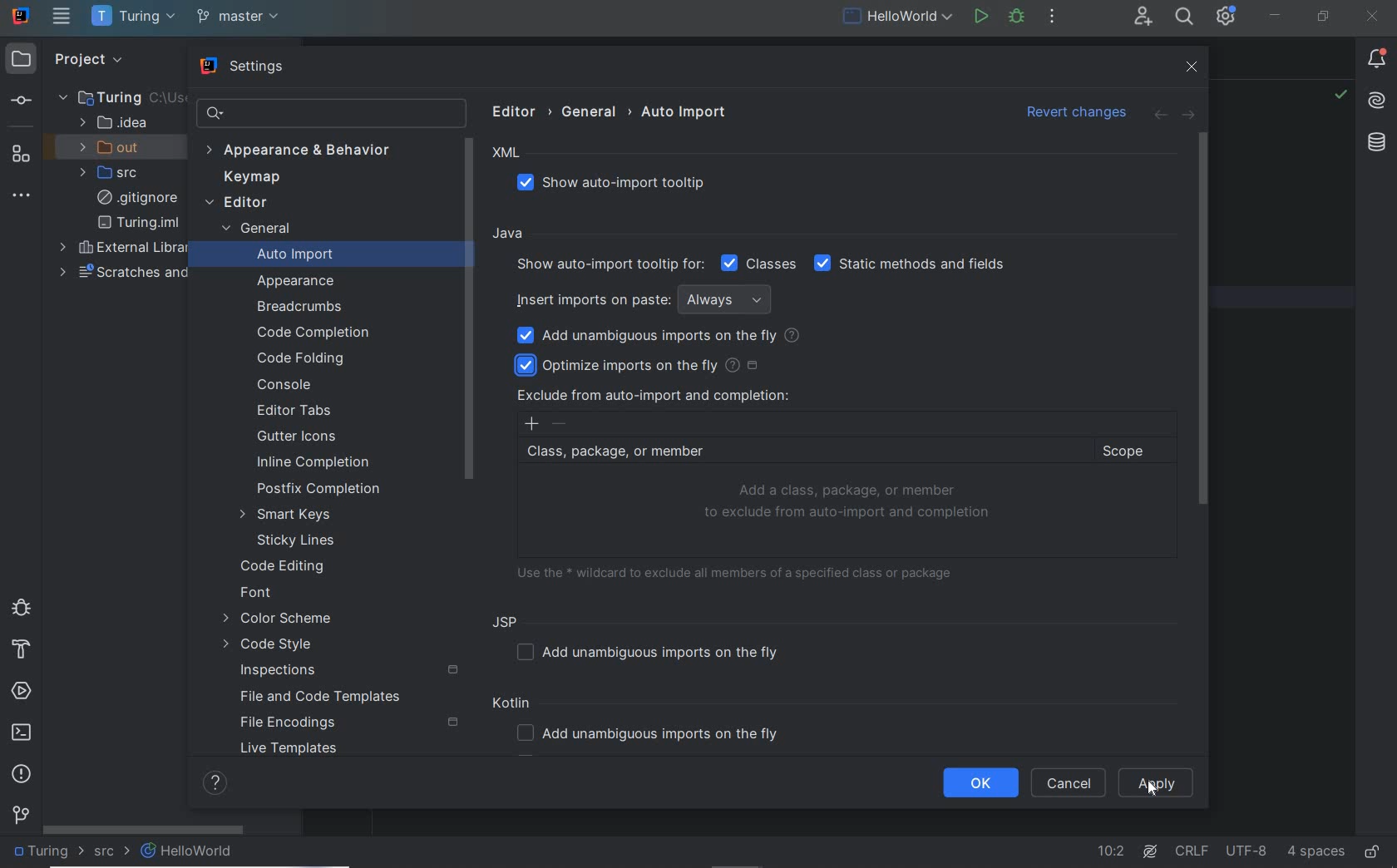  I want to click on CODE COMPLETION, so click(311, 331).